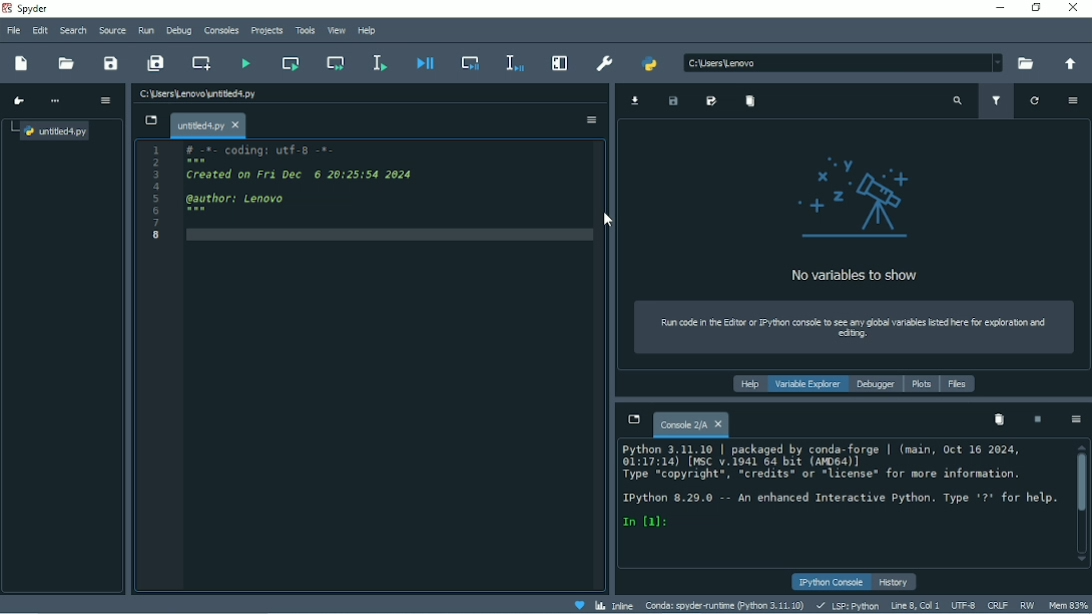 The width and height of the screenshot is (1092, 614). Describe the element at coordinates (208, 125) in the screenshot. I see `File name` at that location.